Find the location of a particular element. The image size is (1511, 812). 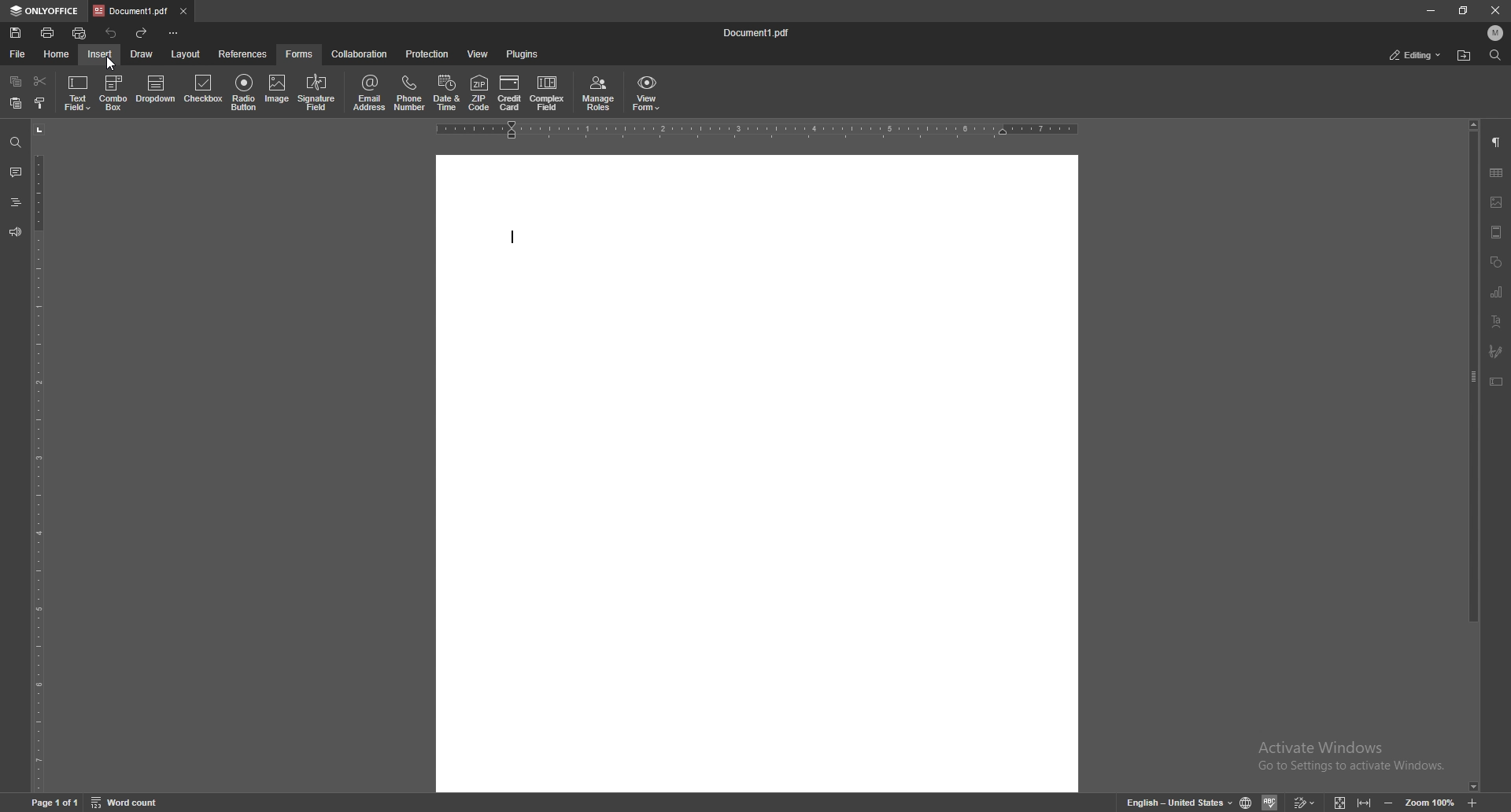

print is located at coordinates (49, 32).